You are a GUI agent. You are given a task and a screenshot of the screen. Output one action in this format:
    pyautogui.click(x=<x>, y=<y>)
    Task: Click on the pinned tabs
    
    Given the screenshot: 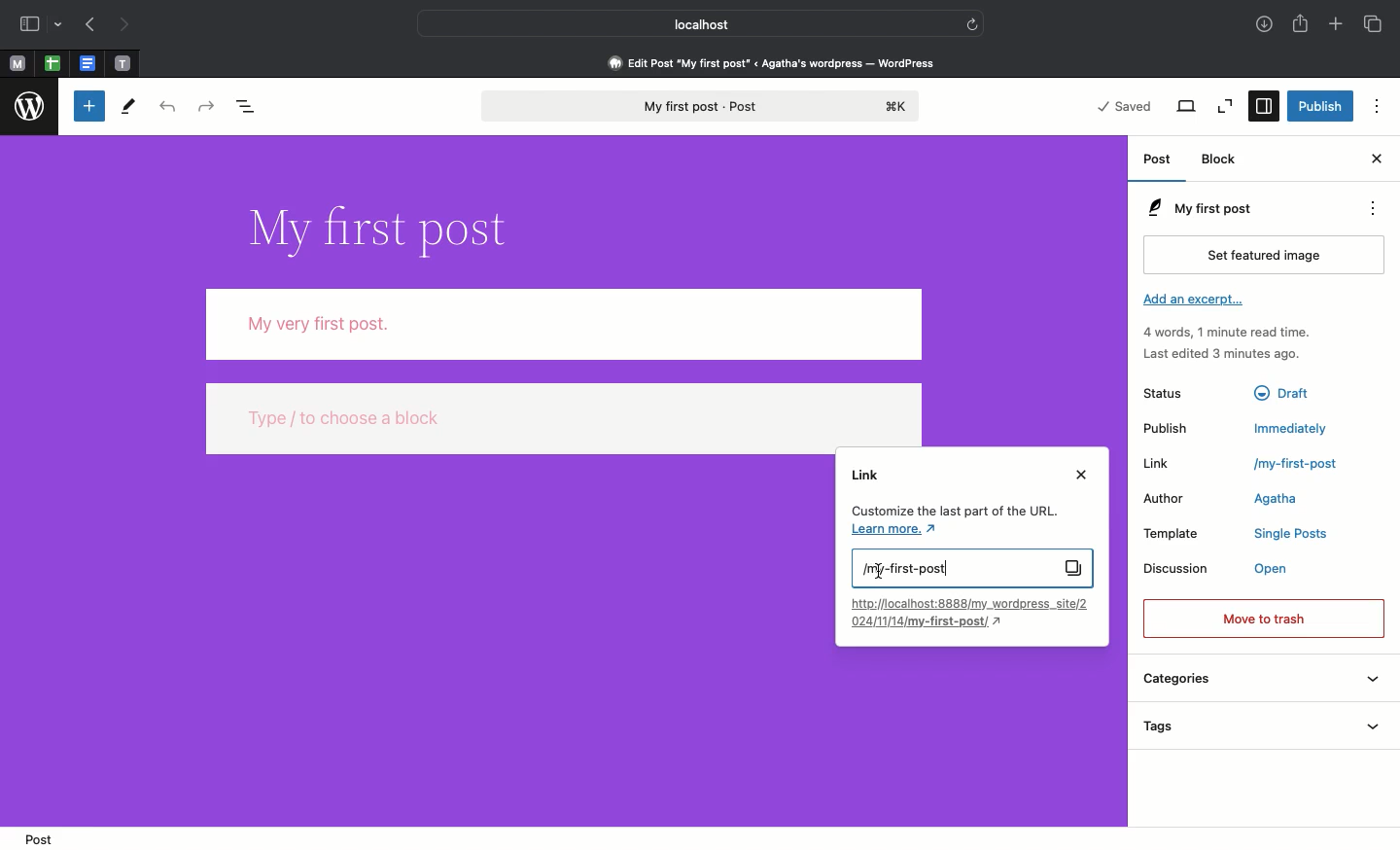 What is the action you would take?
    pyautogui.click(x=55, y=64)
    